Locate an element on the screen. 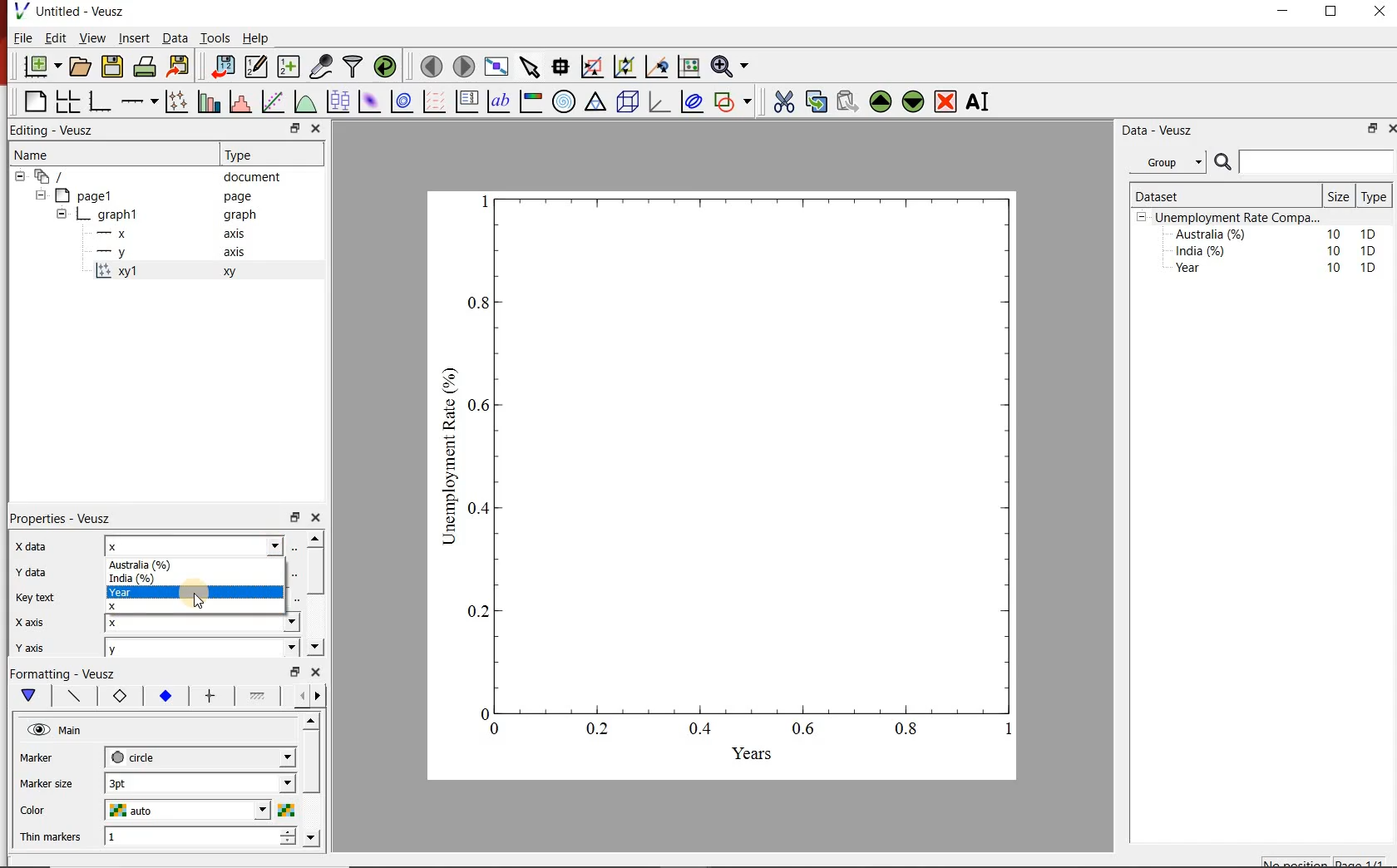 The width and height of the screenshot is (1397, 868). Main is located at coordinates (72, 731).